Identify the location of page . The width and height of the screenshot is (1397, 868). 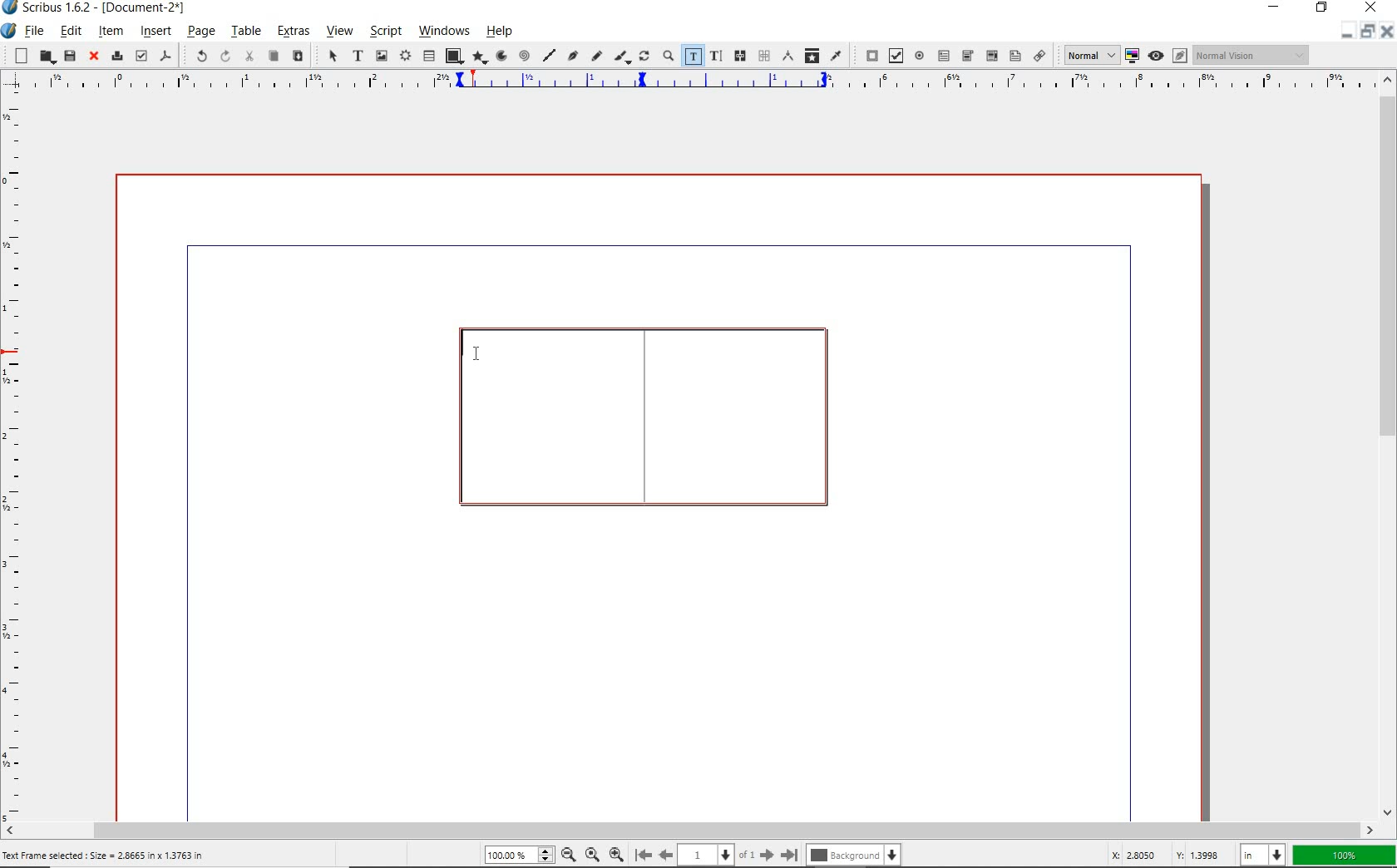
(707, 854).